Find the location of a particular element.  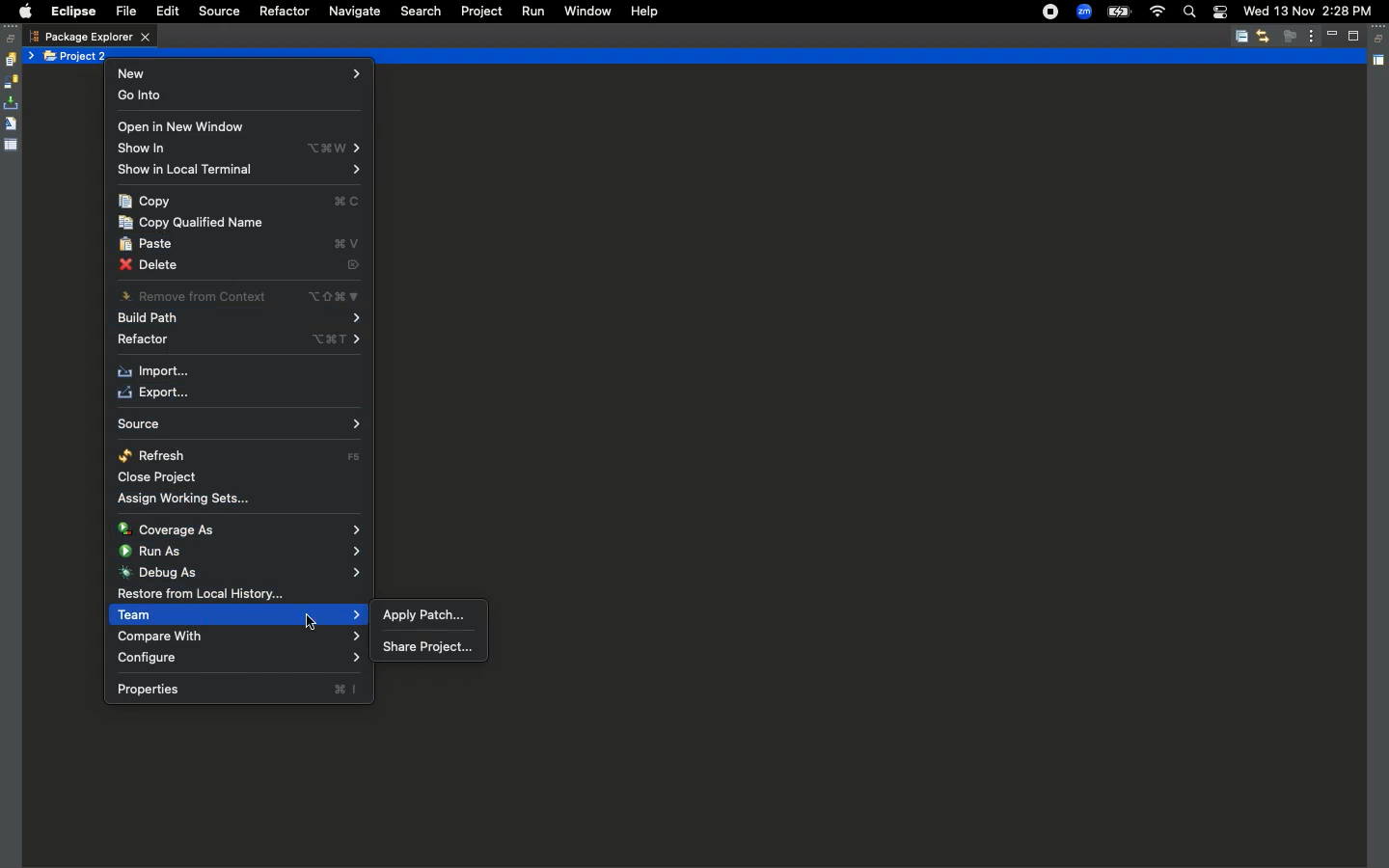

Refactor is located at coordinates (283, 12).